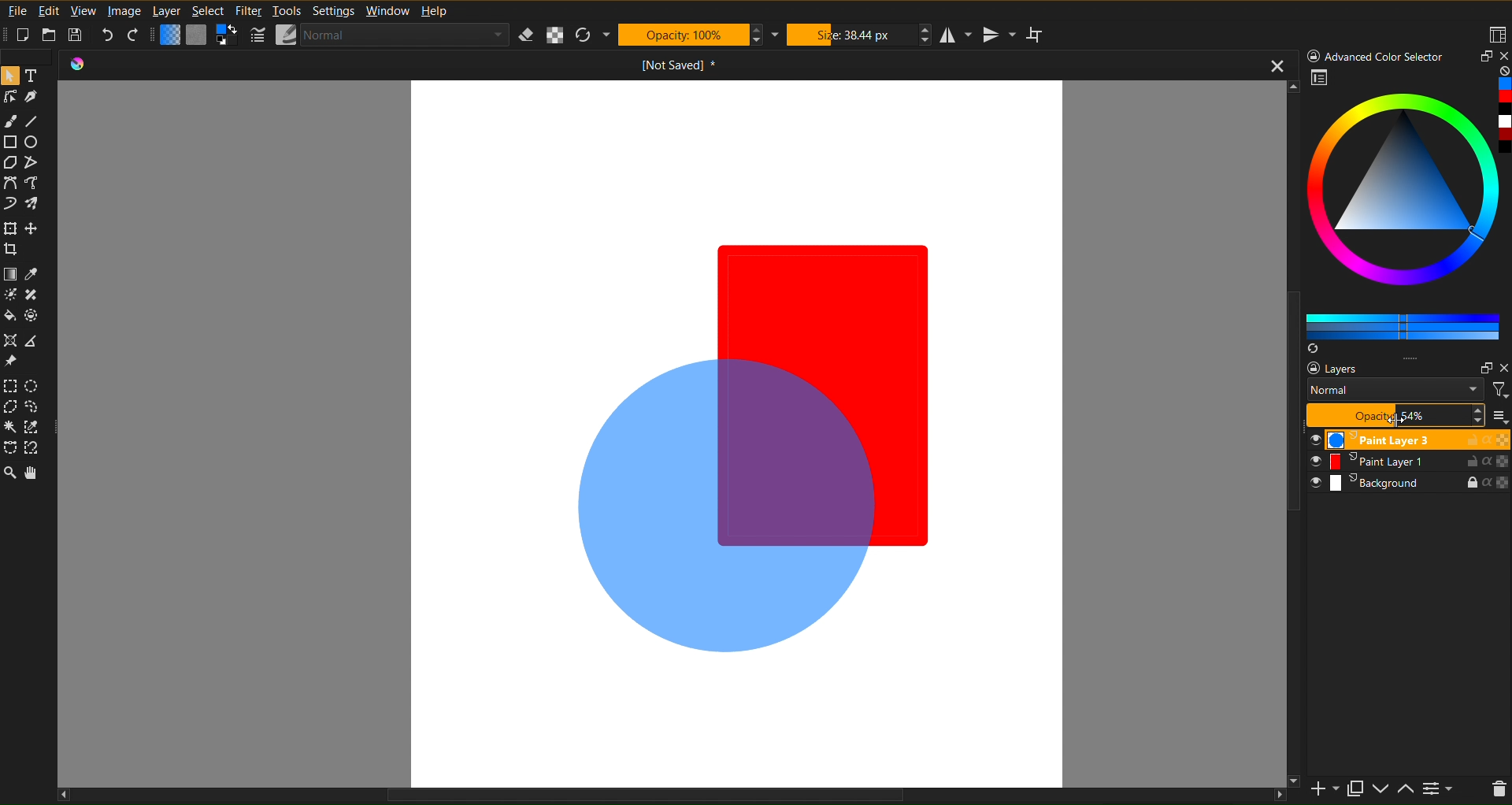 This screenshot has height=805, width=1512. I want to click on Alpha, so click(556, 35).